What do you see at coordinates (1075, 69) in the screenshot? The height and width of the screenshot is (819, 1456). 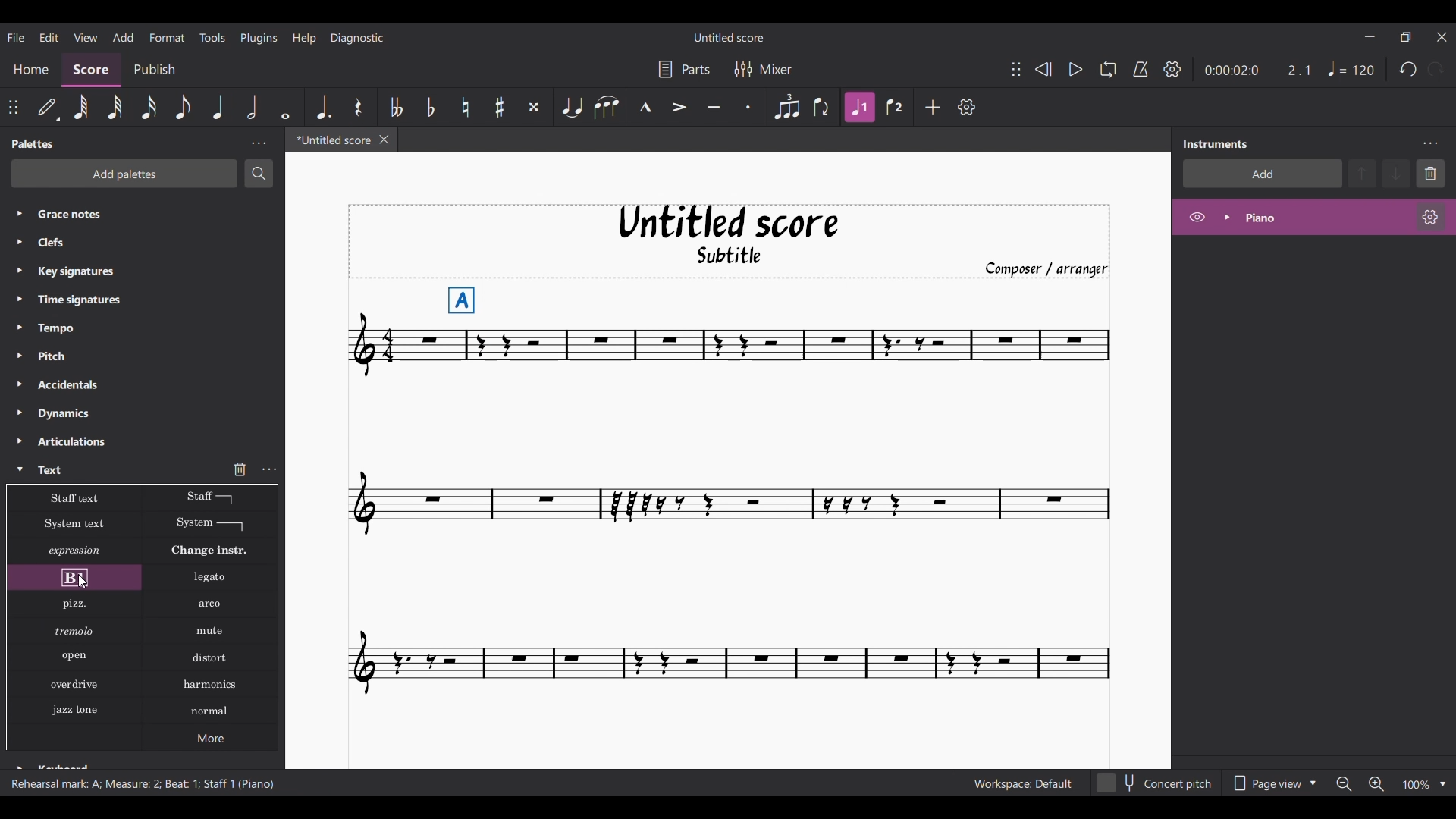 I see `Play` at bounding box center [1075, 69].